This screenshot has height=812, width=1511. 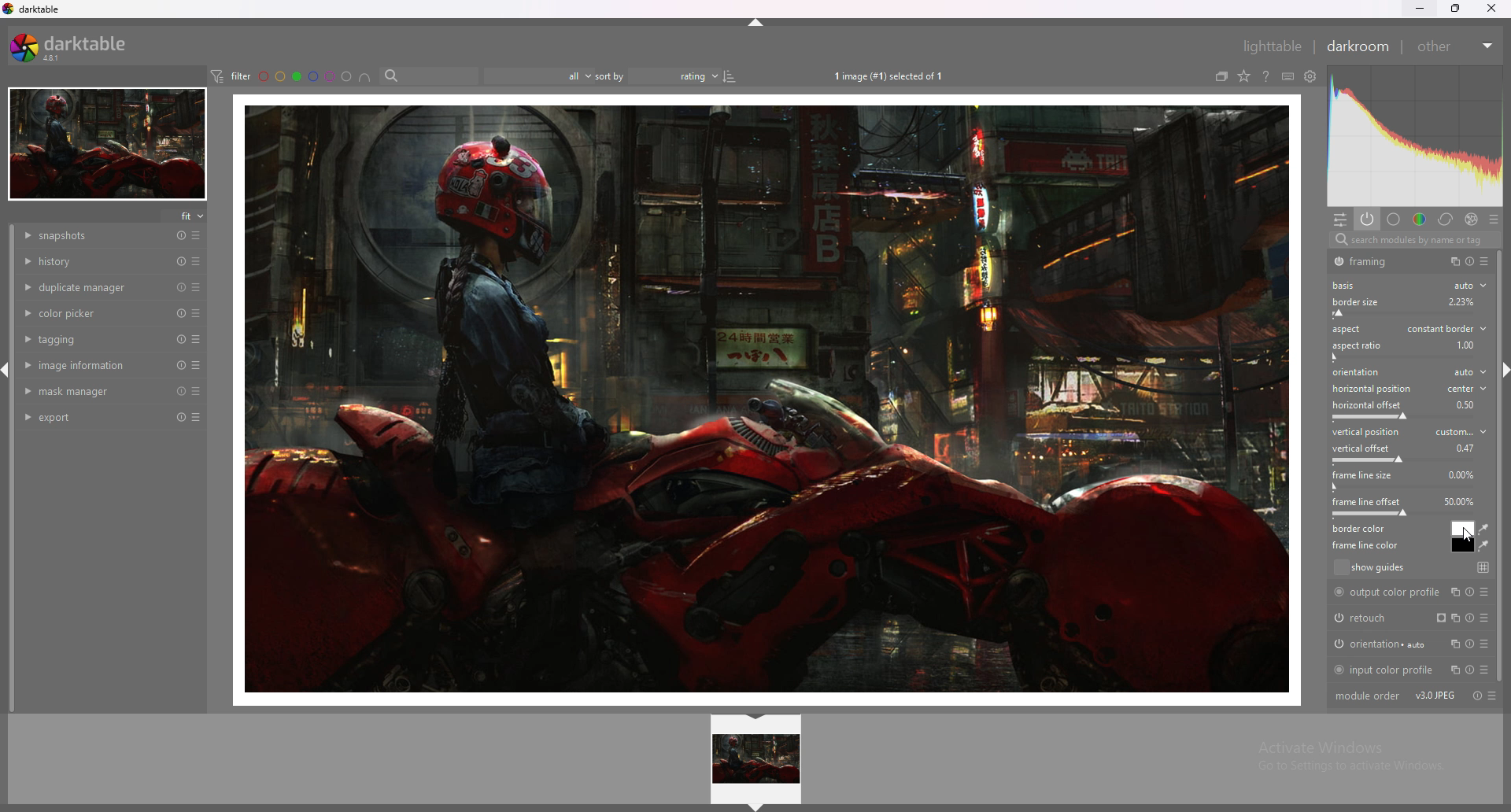 What do you see at coordinates (1444, 220) in the screenshot?
I see `correct` at bounding box center [1444, 220].